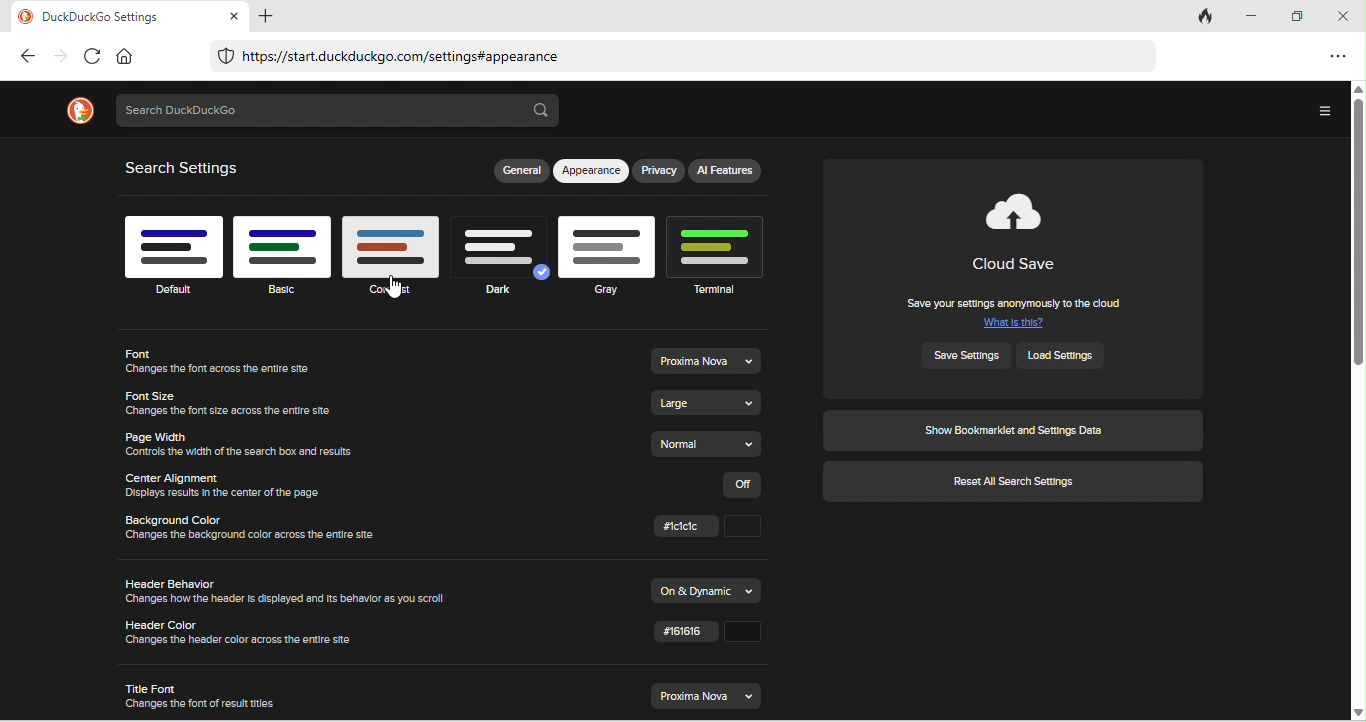  Describe the element at coordinates (59, 56) in the screenshot. I see `forward` at that location.